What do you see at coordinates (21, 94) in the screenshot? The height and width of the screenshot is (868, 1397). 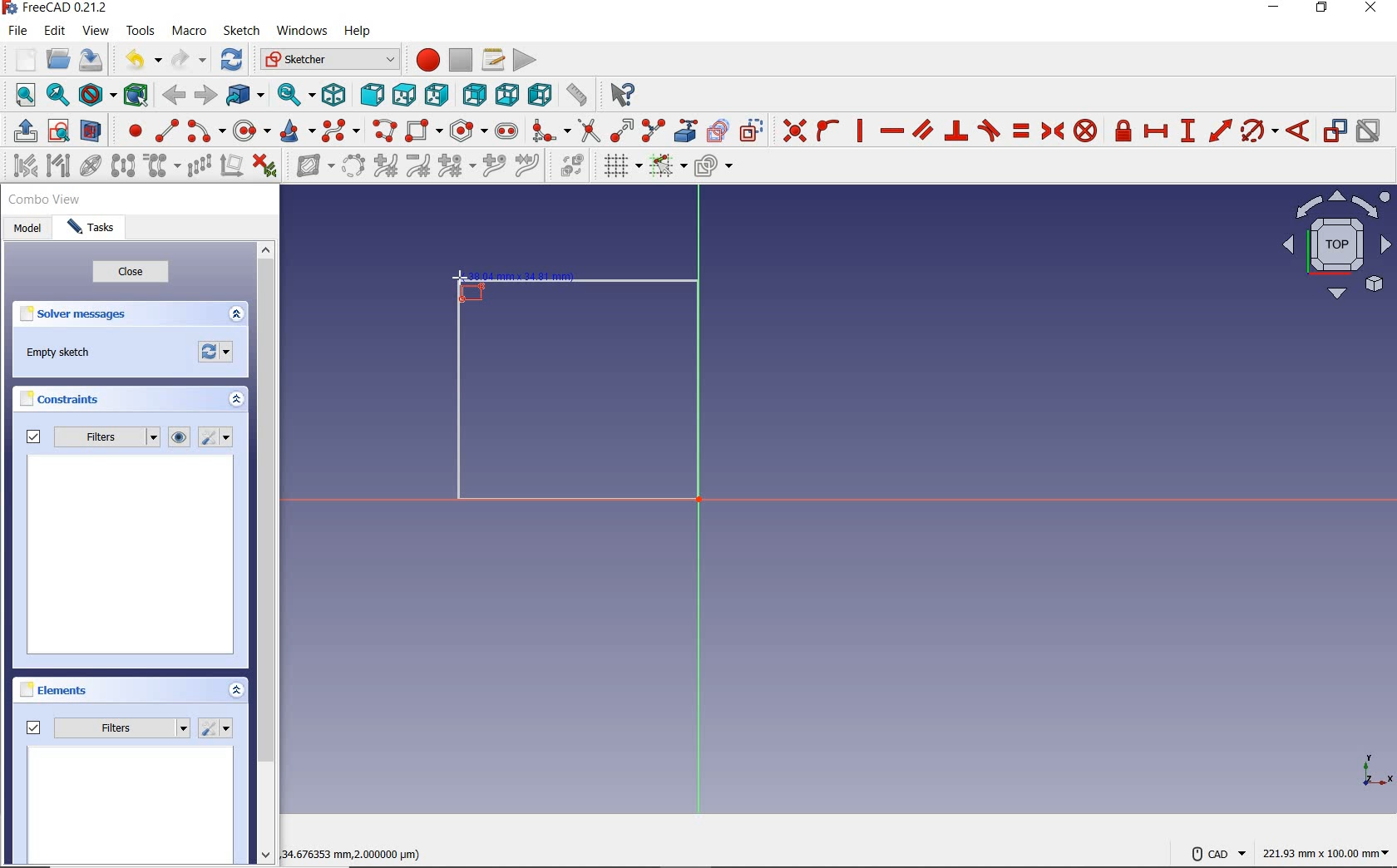 I see `fit all` at bounding box center [21, 94].